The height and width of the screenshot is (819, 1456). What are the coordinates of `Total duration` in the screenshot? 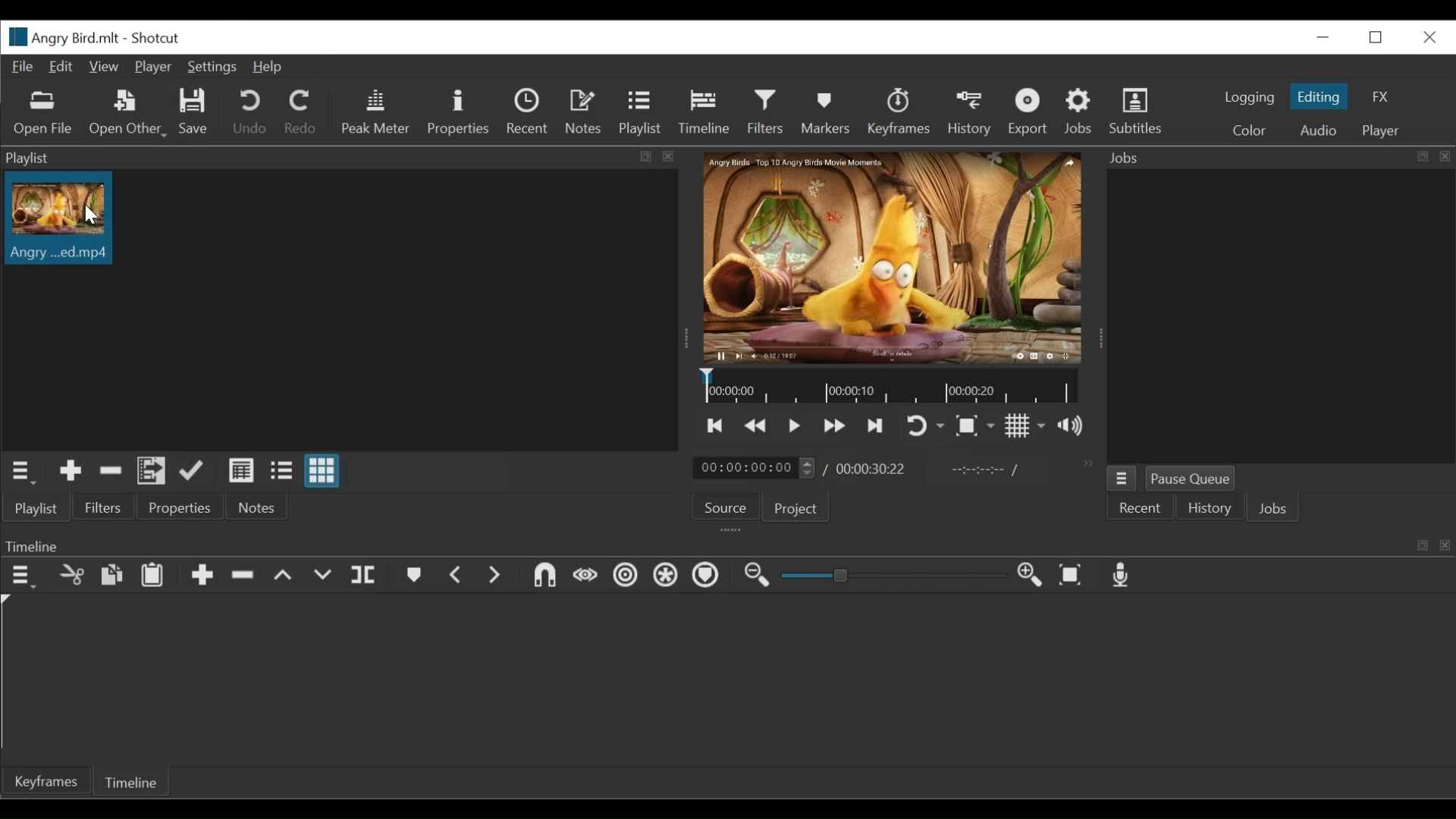 It's located at (872, 468).